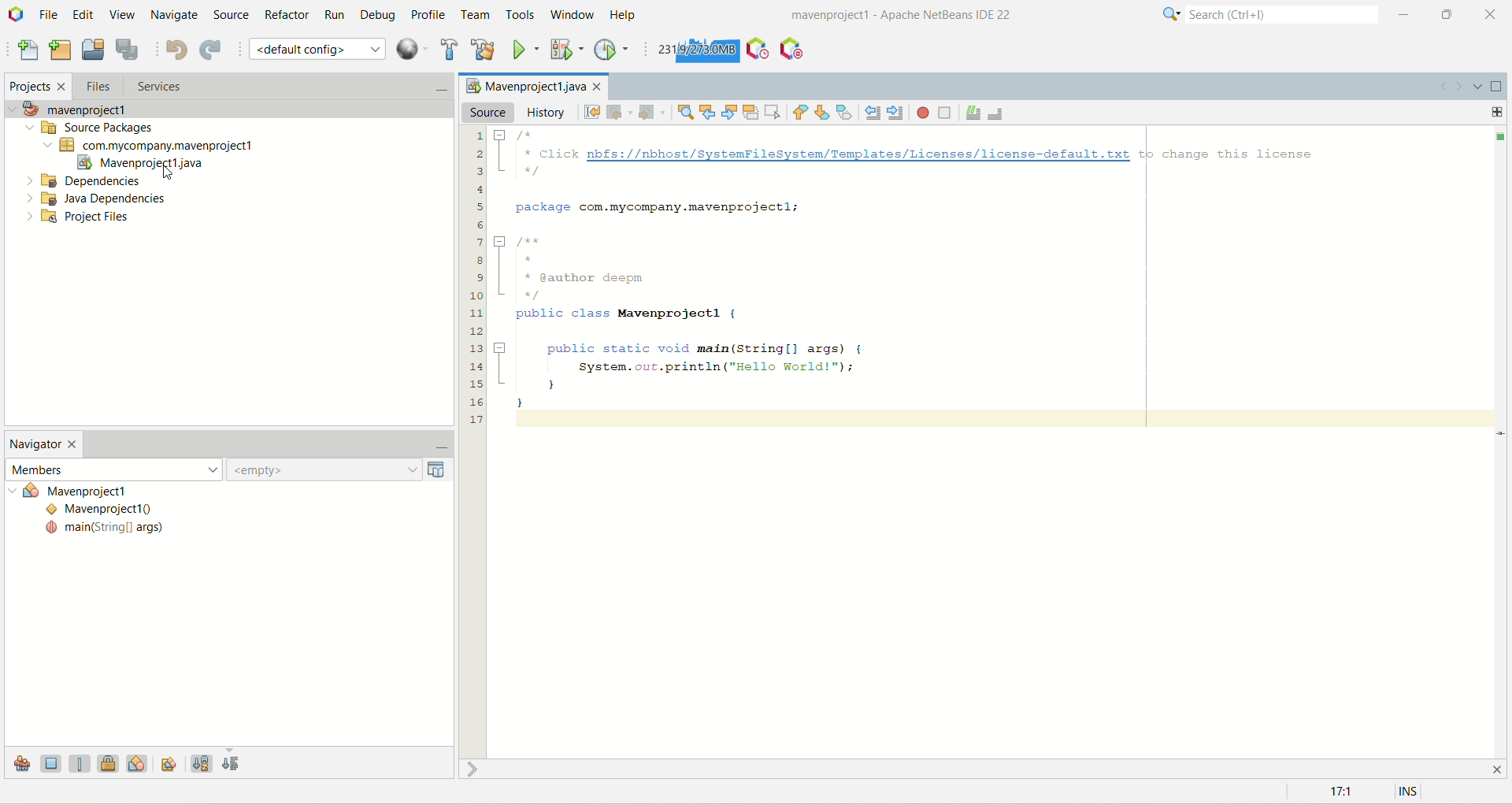 Image resolution: width=1512 pixels, height=805 pixels. Describe the element at coordinates (286, 87) in the screenshot. I see `services` at that location.